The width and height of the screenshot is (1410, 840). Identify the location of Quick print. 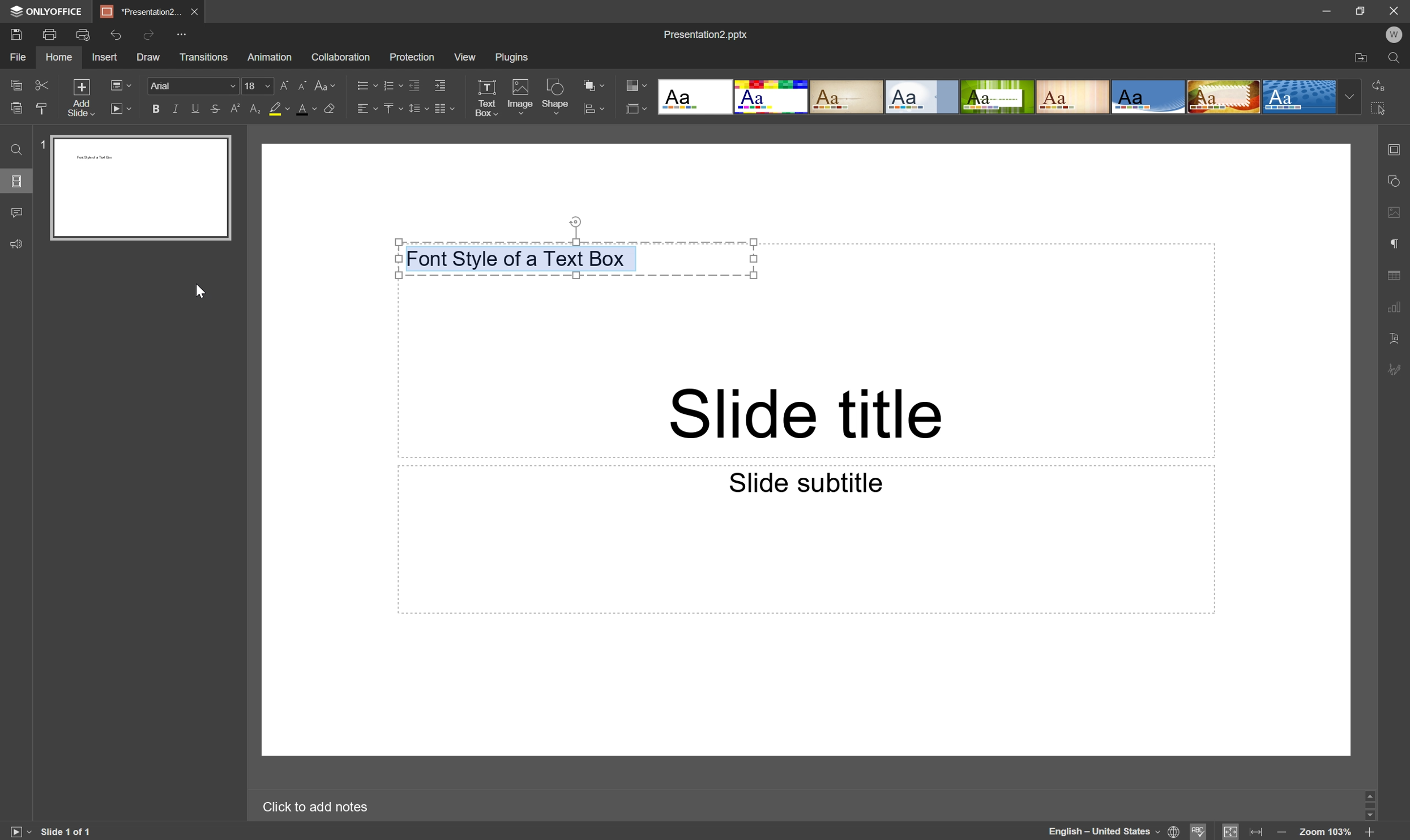
(81, 36).